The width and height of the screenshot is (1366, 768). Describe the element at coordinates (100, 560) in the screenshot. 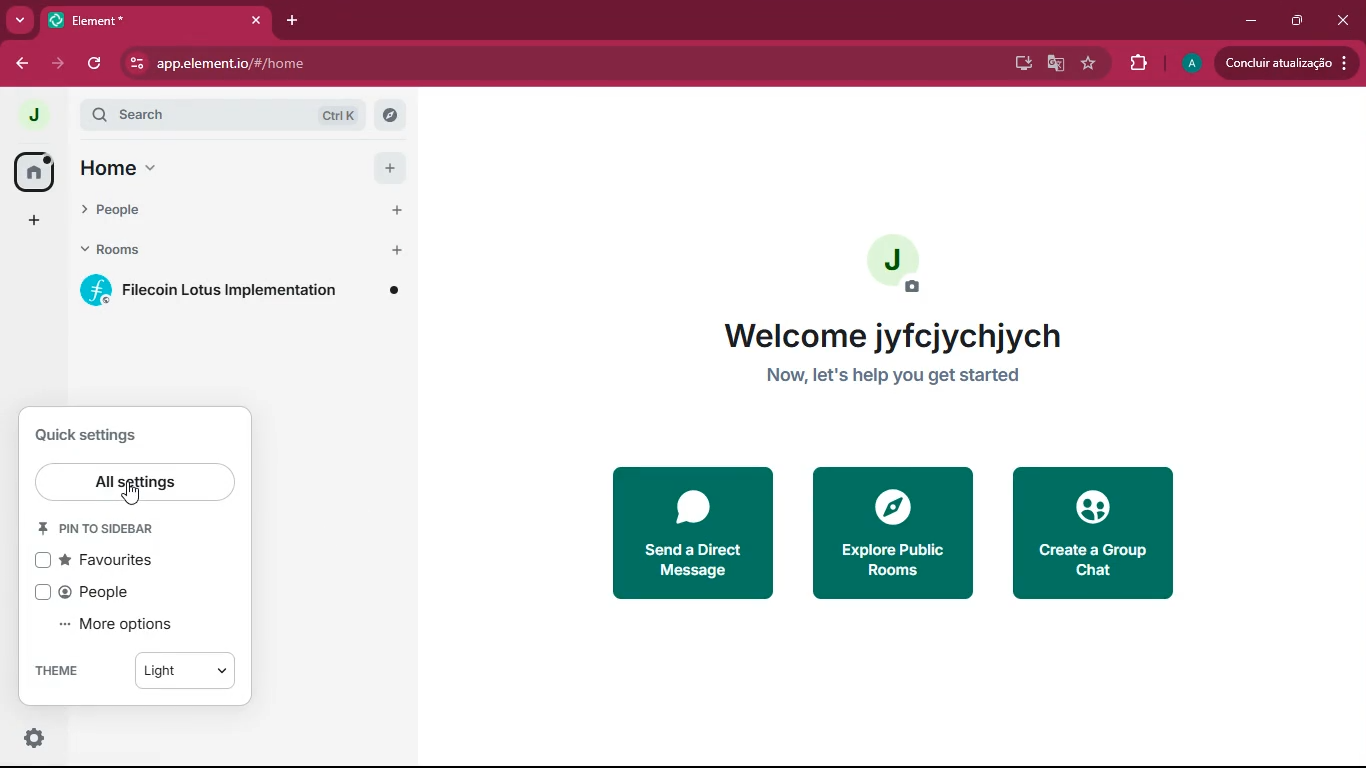

I see `favourites` at that location.